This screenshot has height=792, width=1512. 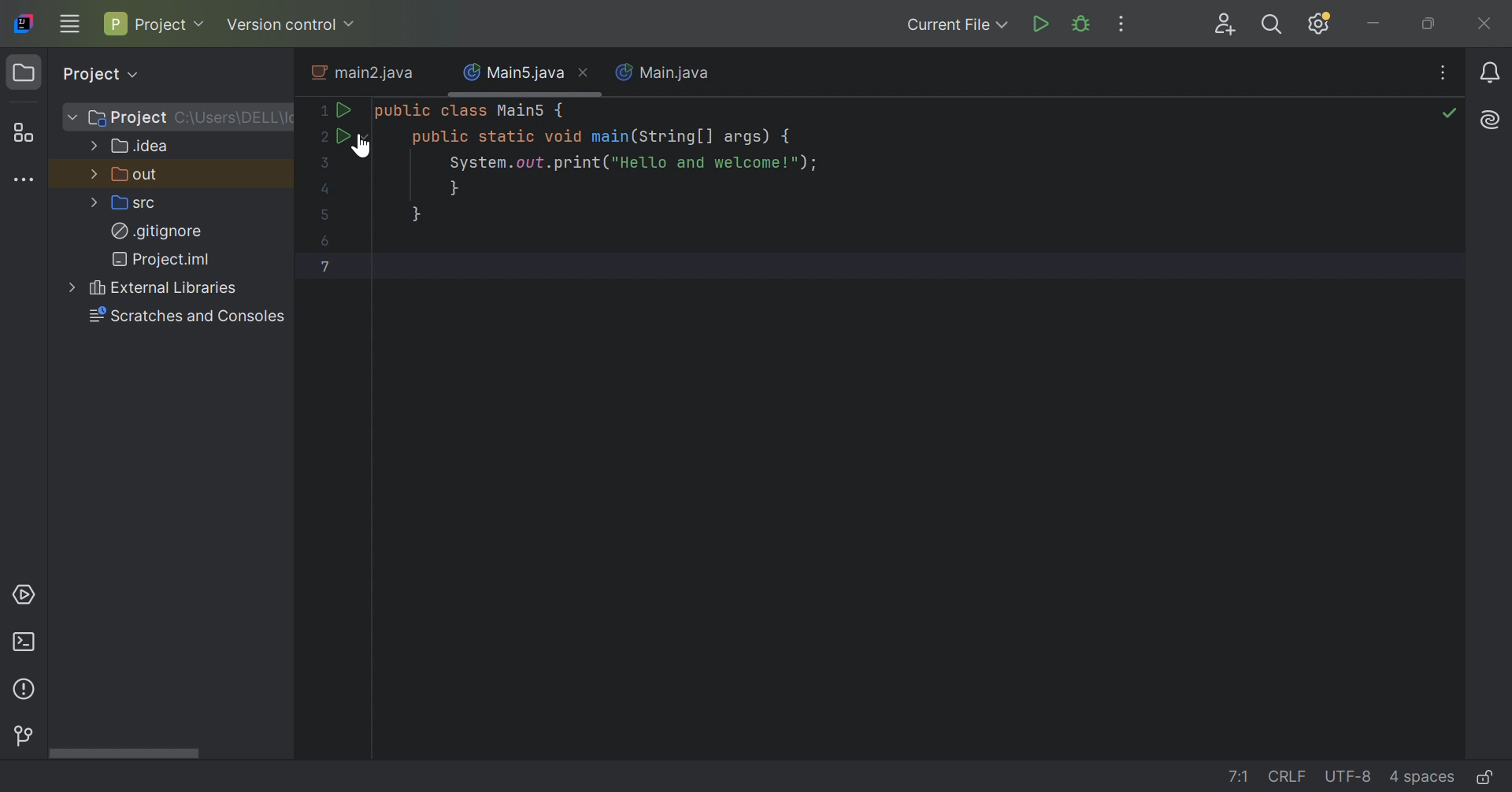 What do you see at coordinates (26, 690) in the screenshot?
I see `Problems` at bounding box center [26, 690].